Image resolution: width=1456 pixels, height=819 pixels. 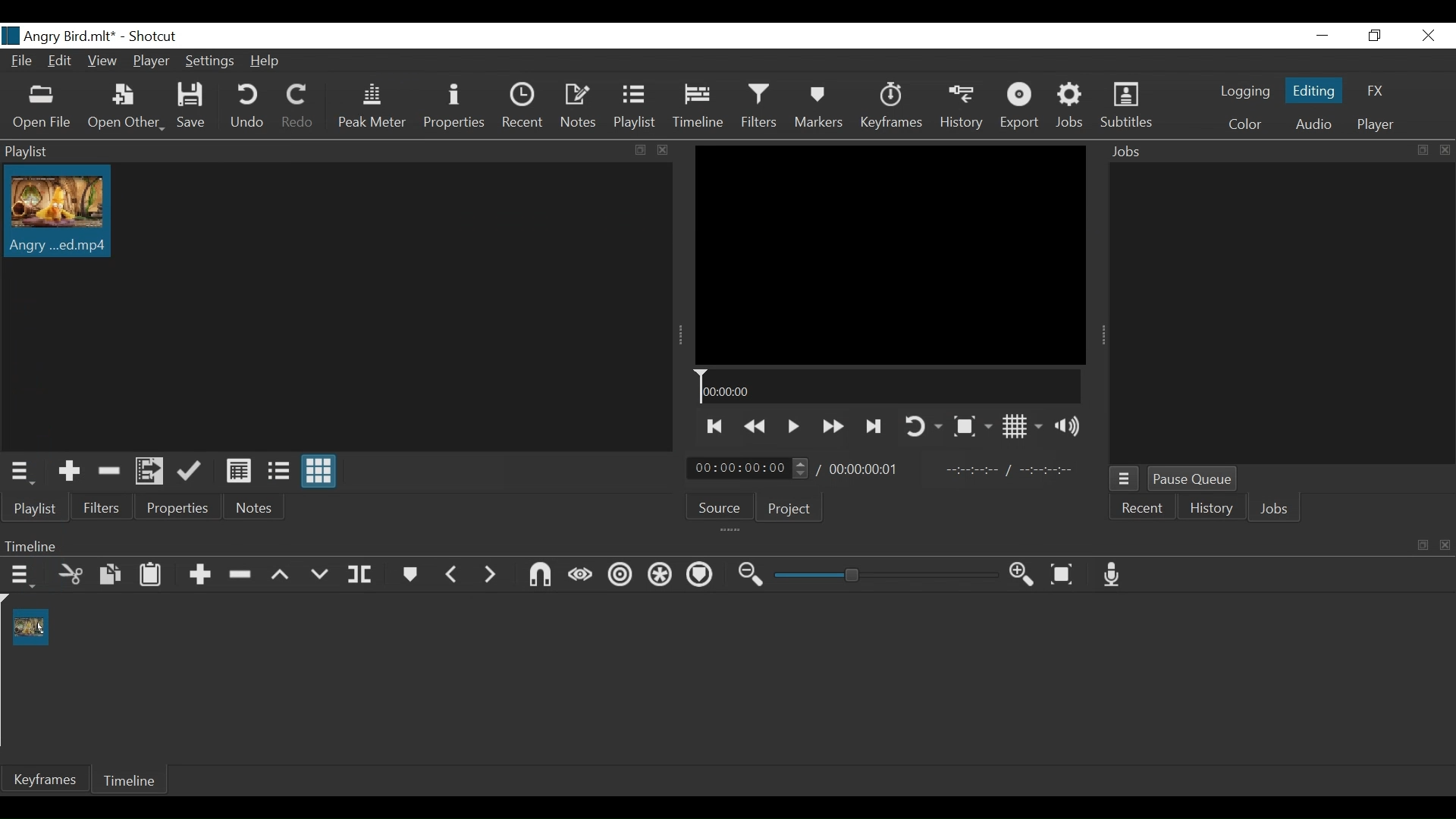 I want to click on Edit, so click(x=61, y=61).